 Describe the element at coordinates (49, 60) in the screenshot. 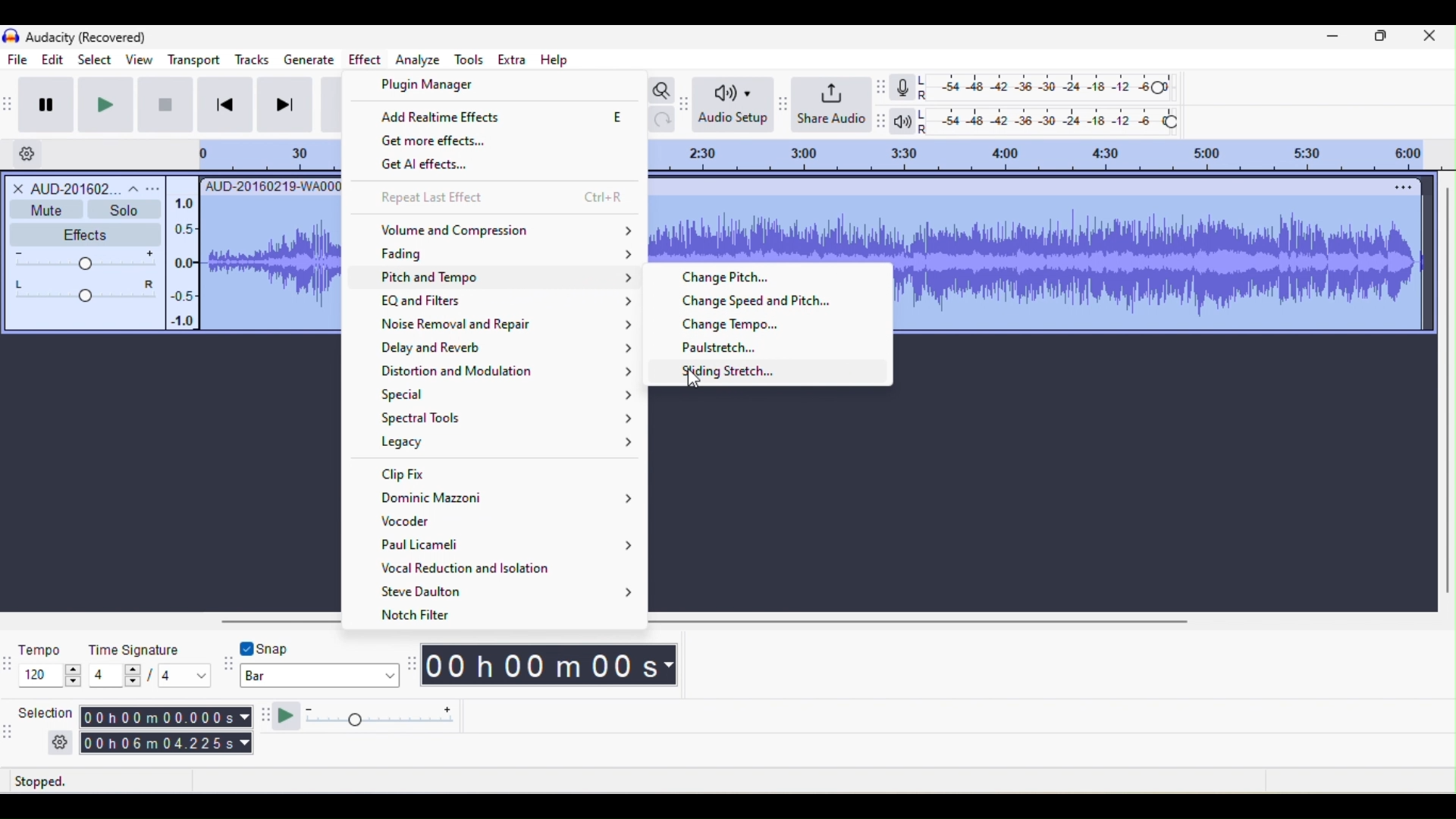

I see `edit` at that location.